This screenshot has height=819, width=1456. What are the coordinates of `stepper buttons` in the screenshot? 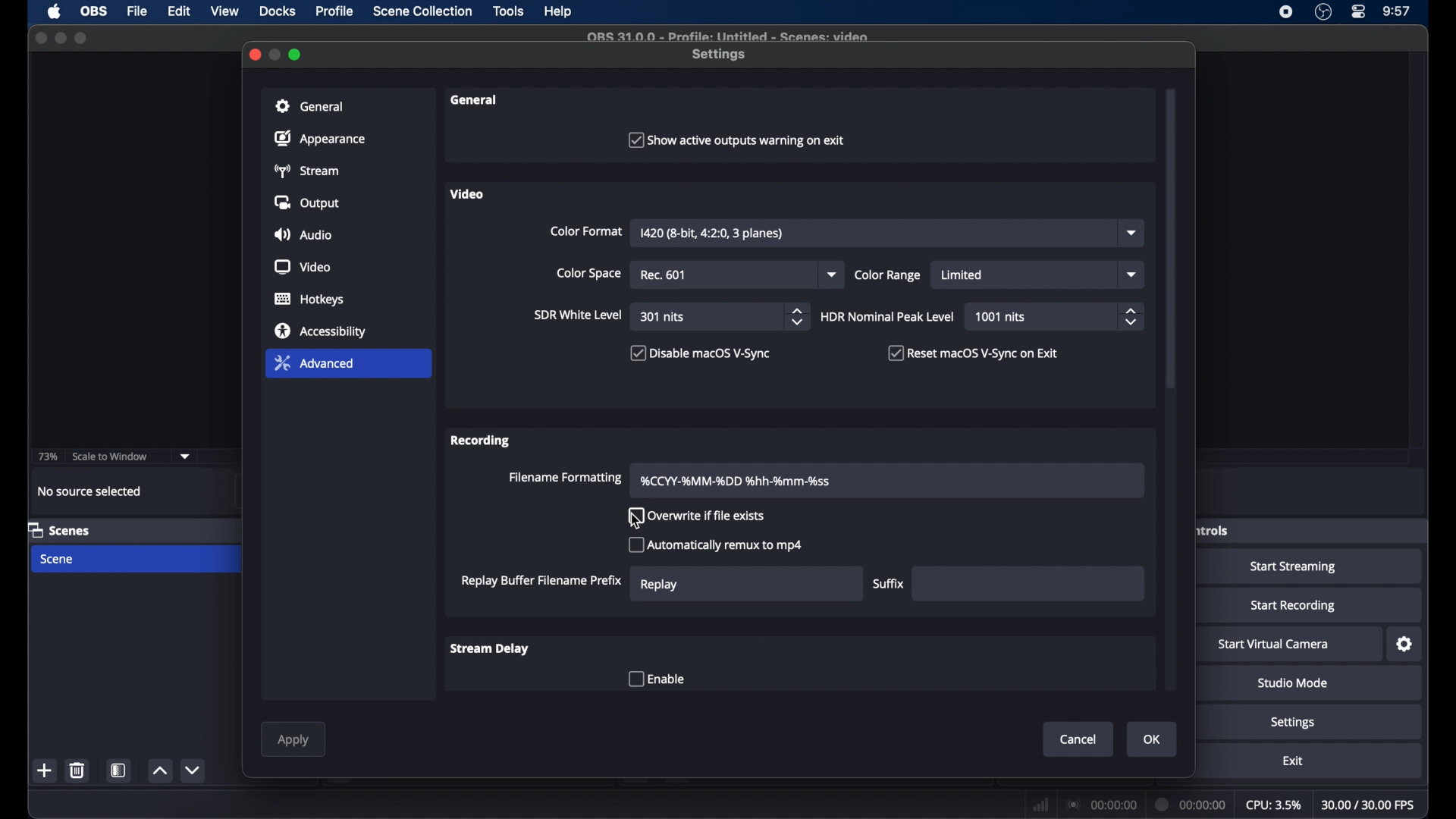 It's located at (1130, 316).